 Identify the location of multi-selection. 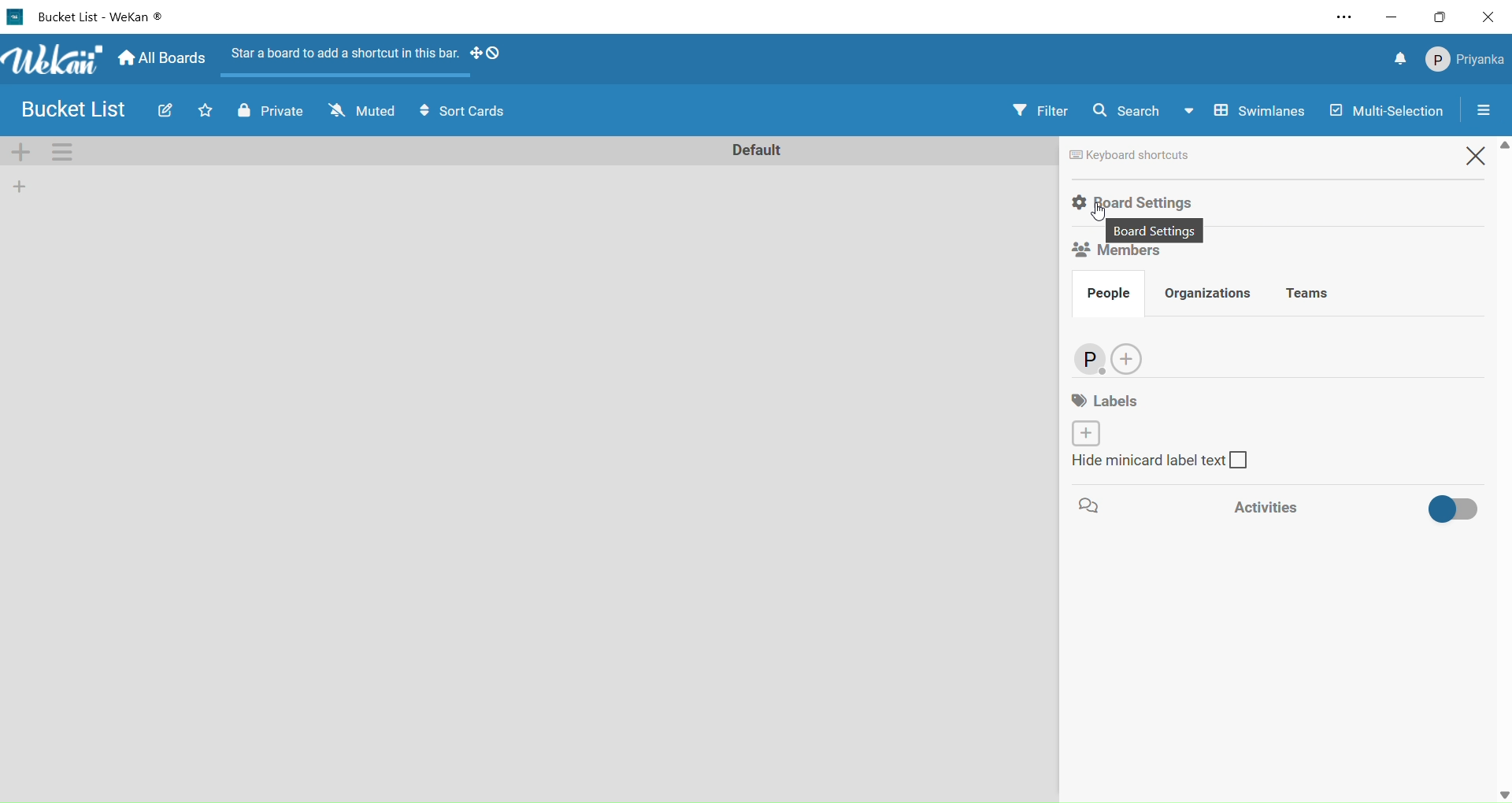
(1392, 109).